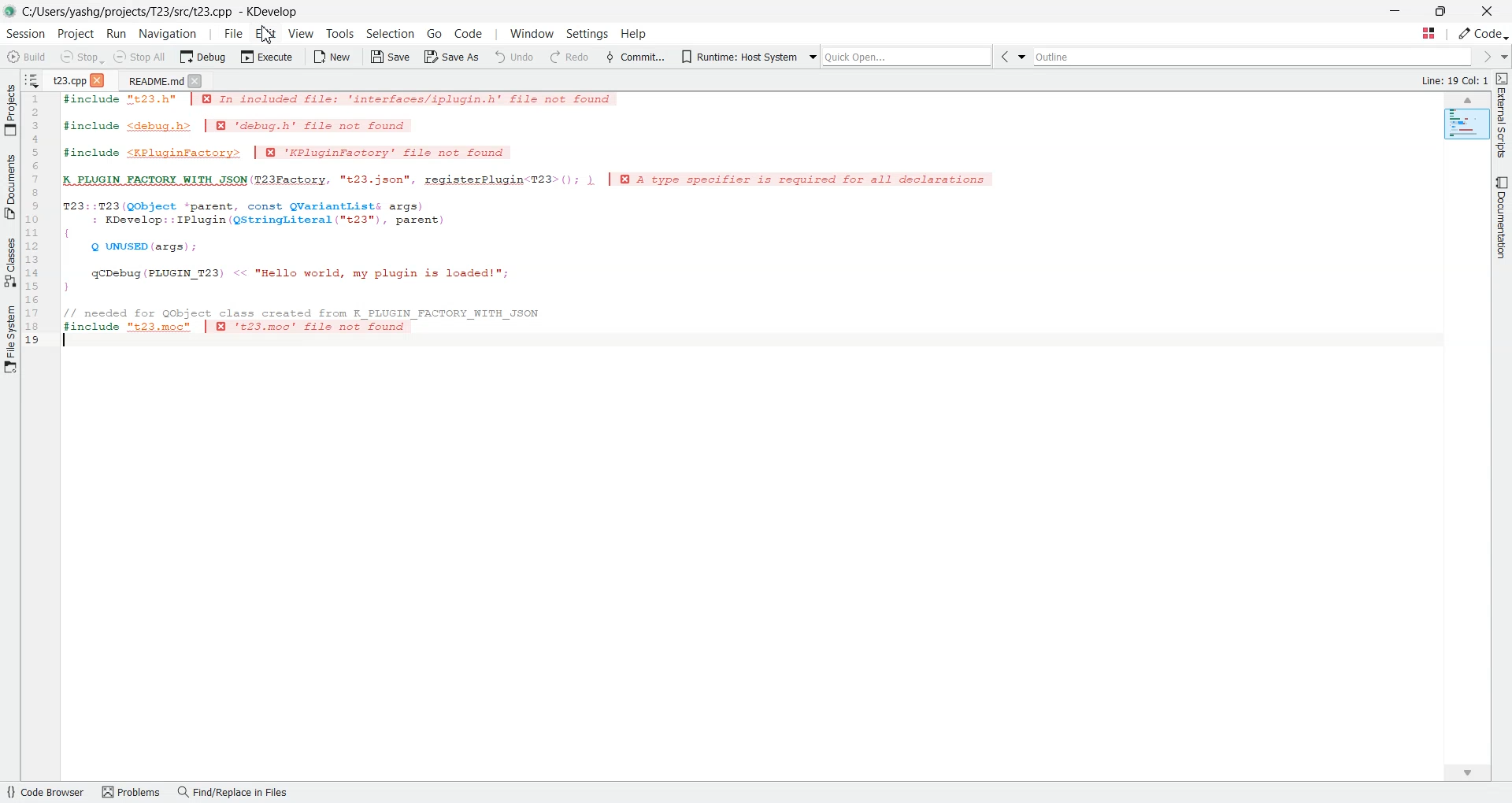  I want to click on Edit, so click(267, 33).